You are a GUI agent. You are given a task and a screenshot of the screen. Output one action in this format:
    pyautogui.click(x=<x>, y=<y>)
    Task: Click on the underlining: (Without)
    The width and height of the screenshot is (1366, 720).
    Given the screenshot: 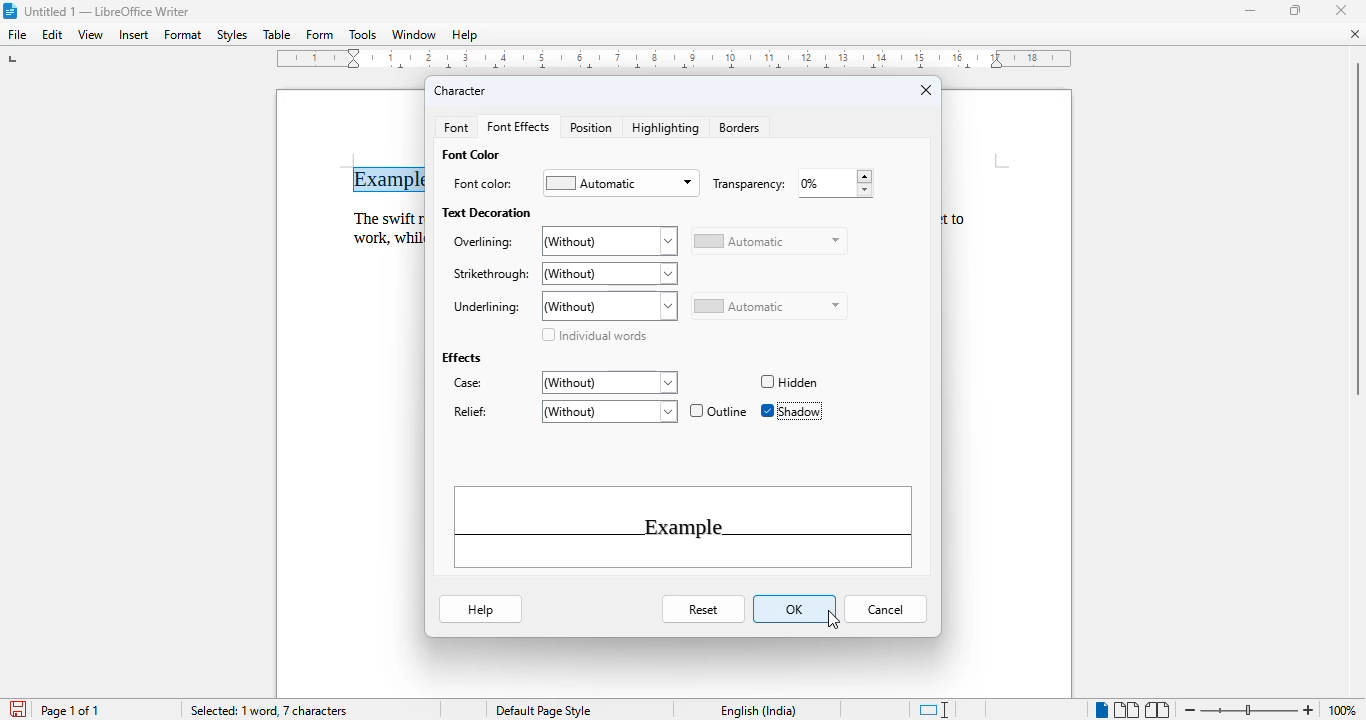 What is the action you would take?
    pyautogui.click(x=563, y=306)
    